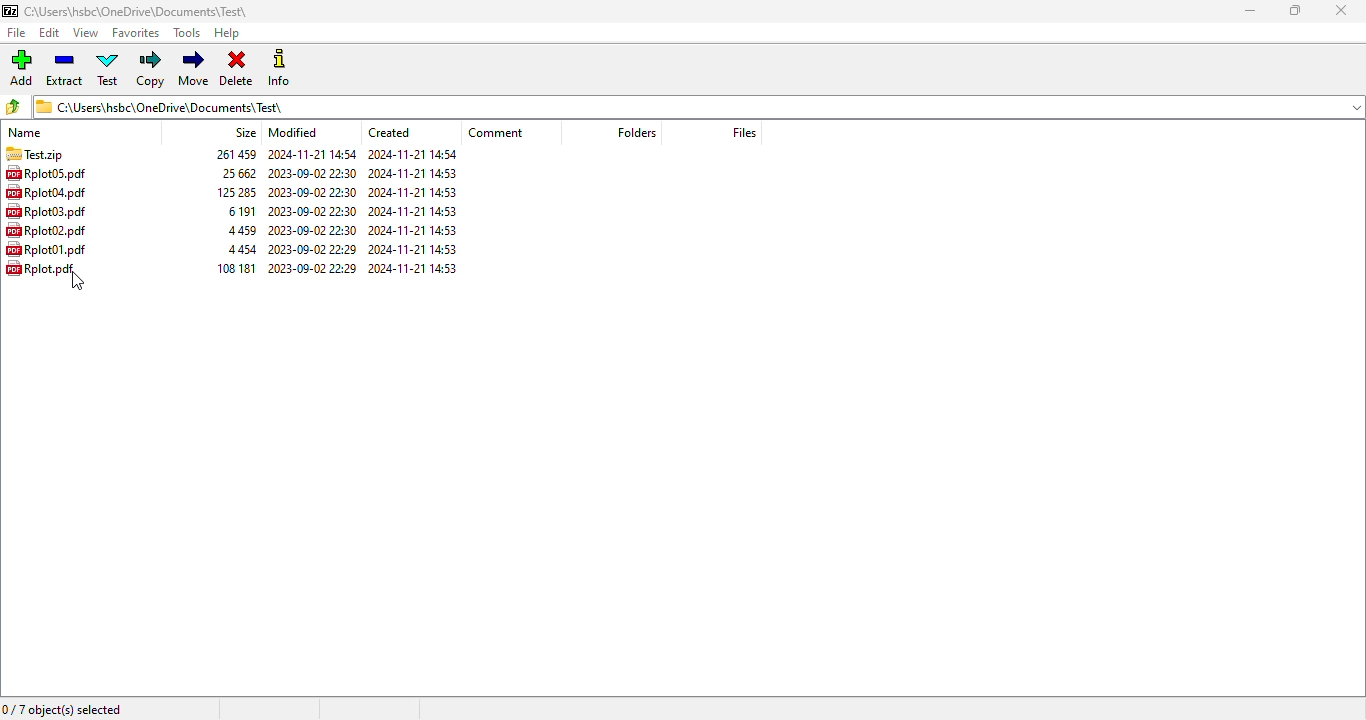 The height and width of the screenshot is (720, 1366). Describe the element at coordinates (418, 153) in the screenshot. I see ` 2024-11-2114:54` at that location.